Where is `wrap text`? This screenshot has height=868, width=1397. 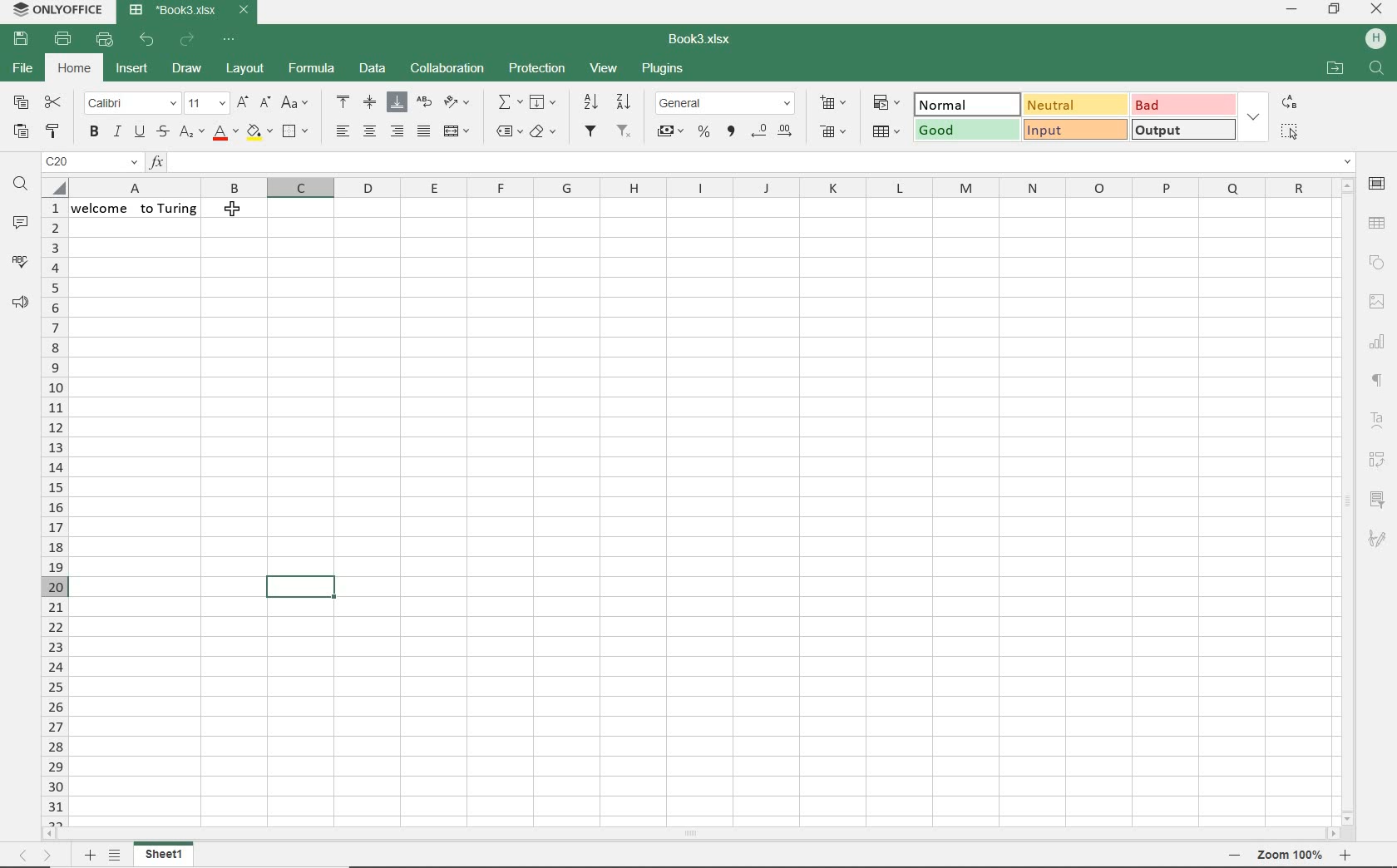
wrap text is located at coordinates (422, 101).